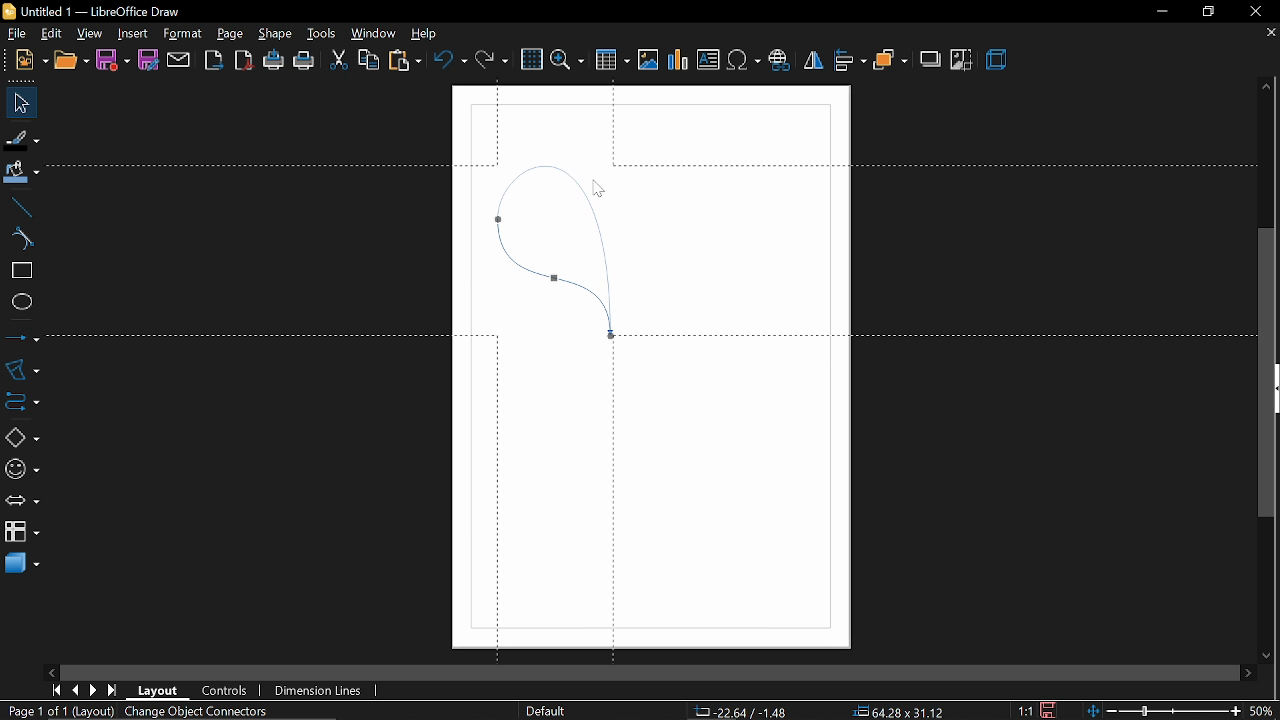 Image resolution: width=1280 pixels, height=720 pixels. Describe the element at coordinates (50, 33) in the screenshot. I see `edit` at that location.